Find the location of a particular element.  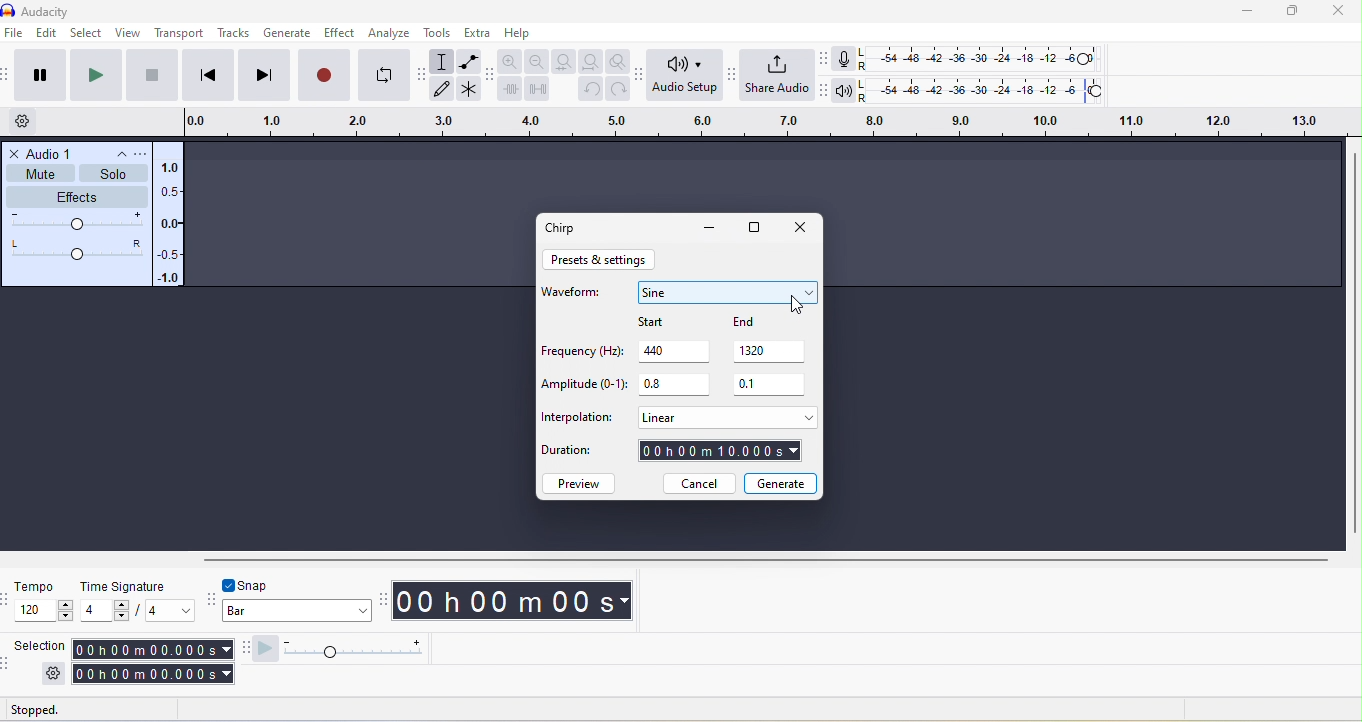

tracks is located at coordinates (233, 33).